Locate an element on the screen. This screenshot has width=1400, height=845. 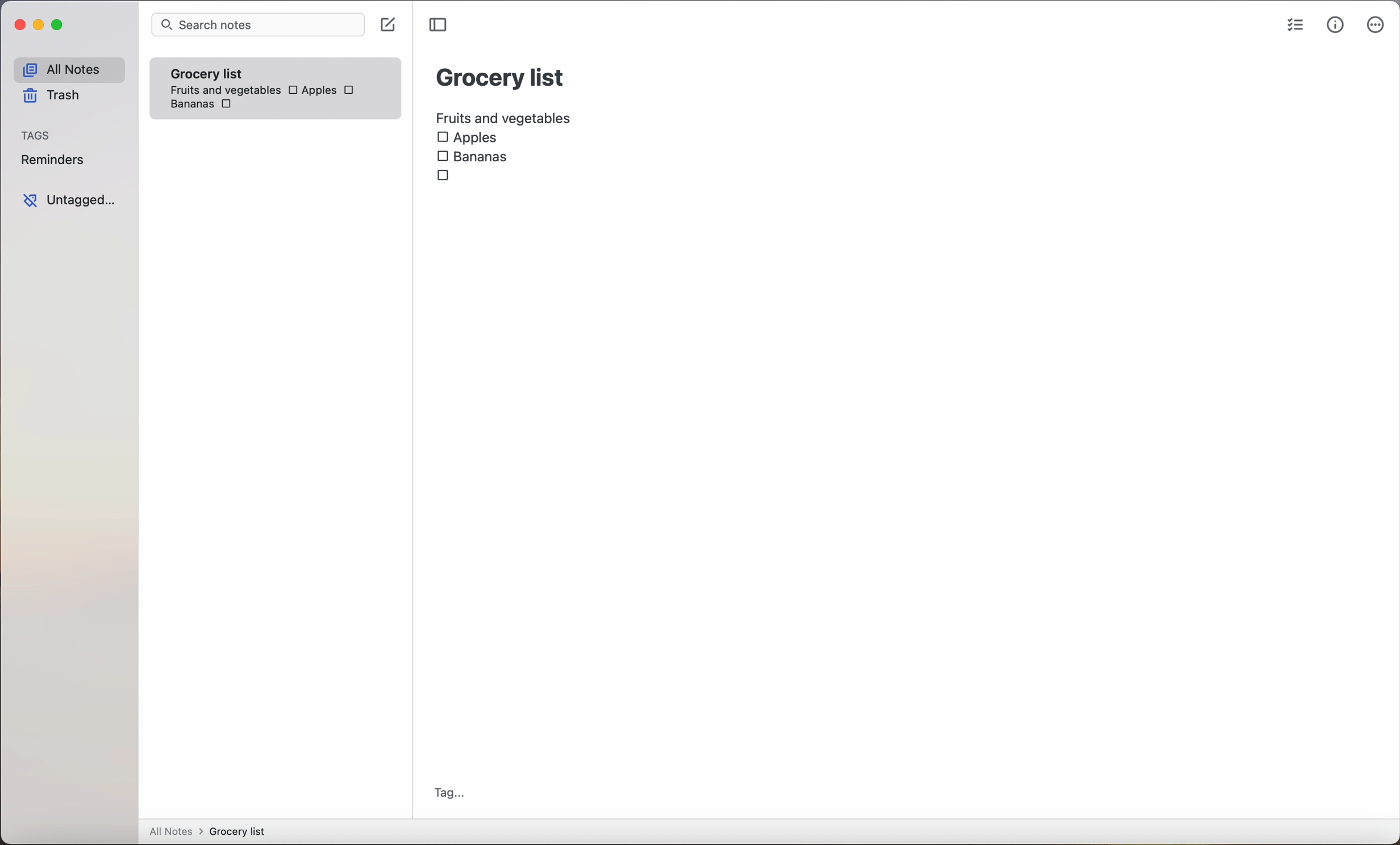
checkbox is located at coordinates (444, 178).